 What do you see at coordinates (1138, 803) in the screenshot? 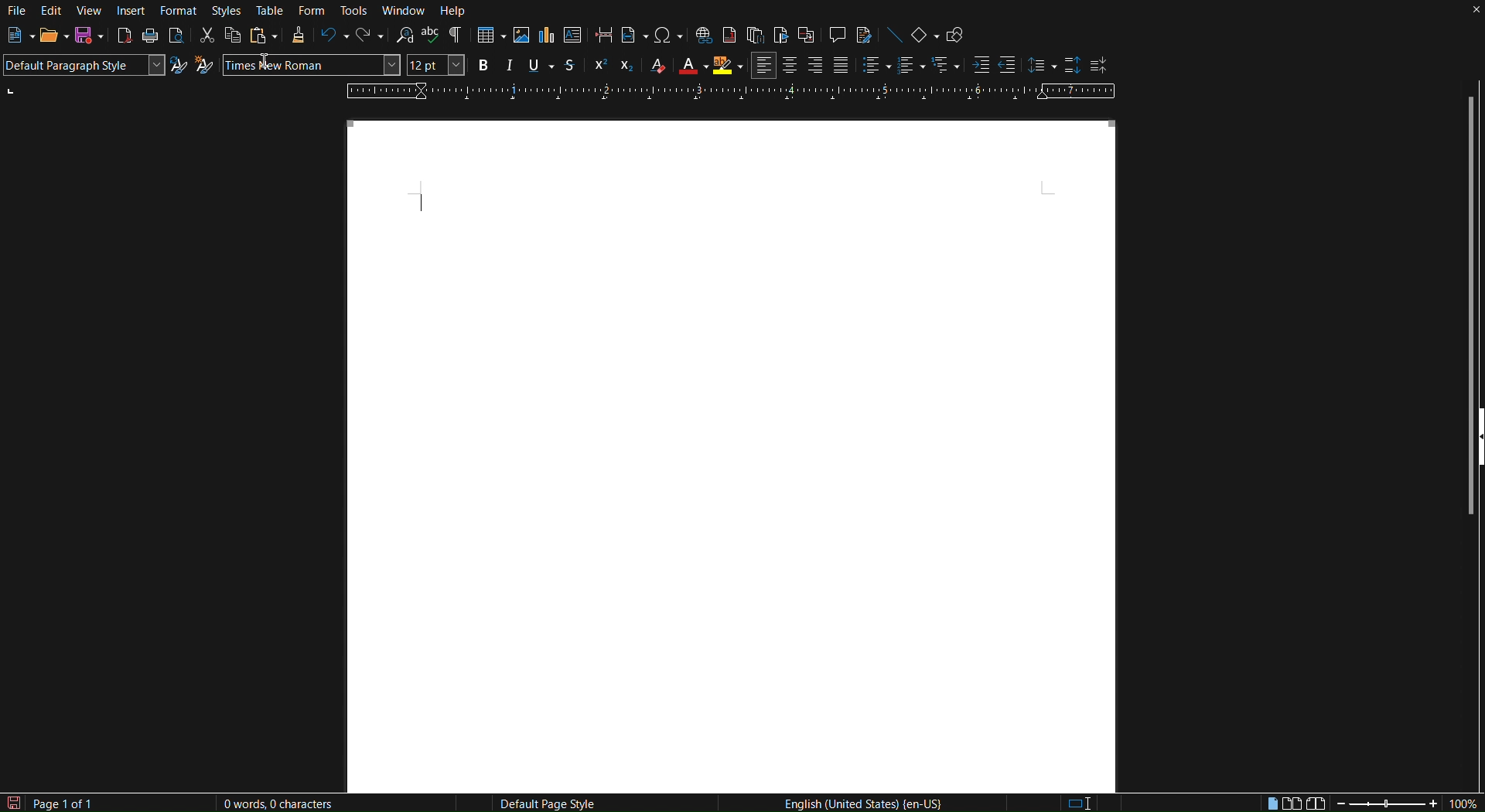
I see `Digital signature: the document is not signed.` at bounding box center [1138, 803].